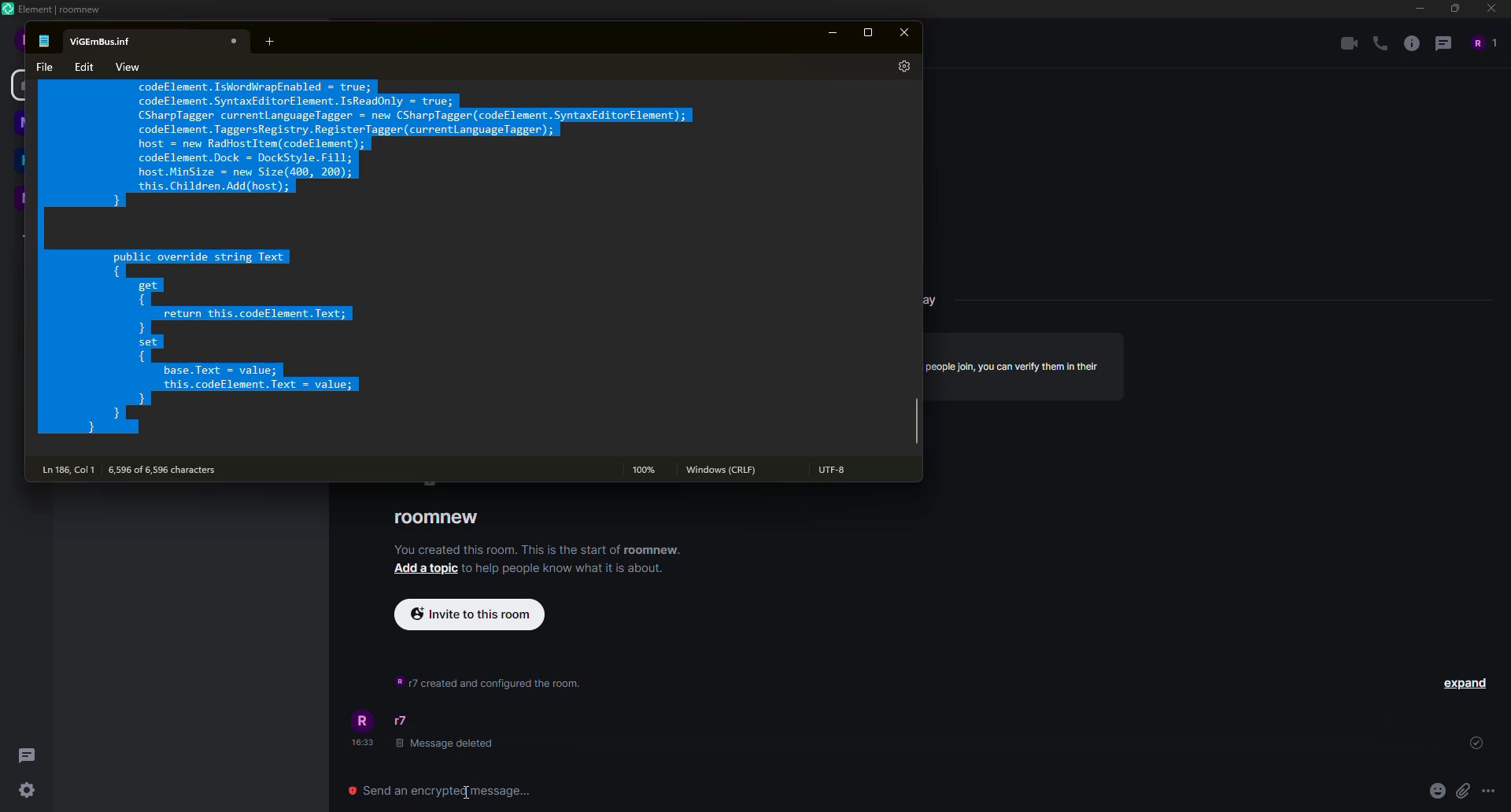 Image resolution: width=1511 pixels, height=812 pixels. What do you see at coordinates (1417, 8) in the screenshot?
I see `minimize` at bounding box center [1417, 8].